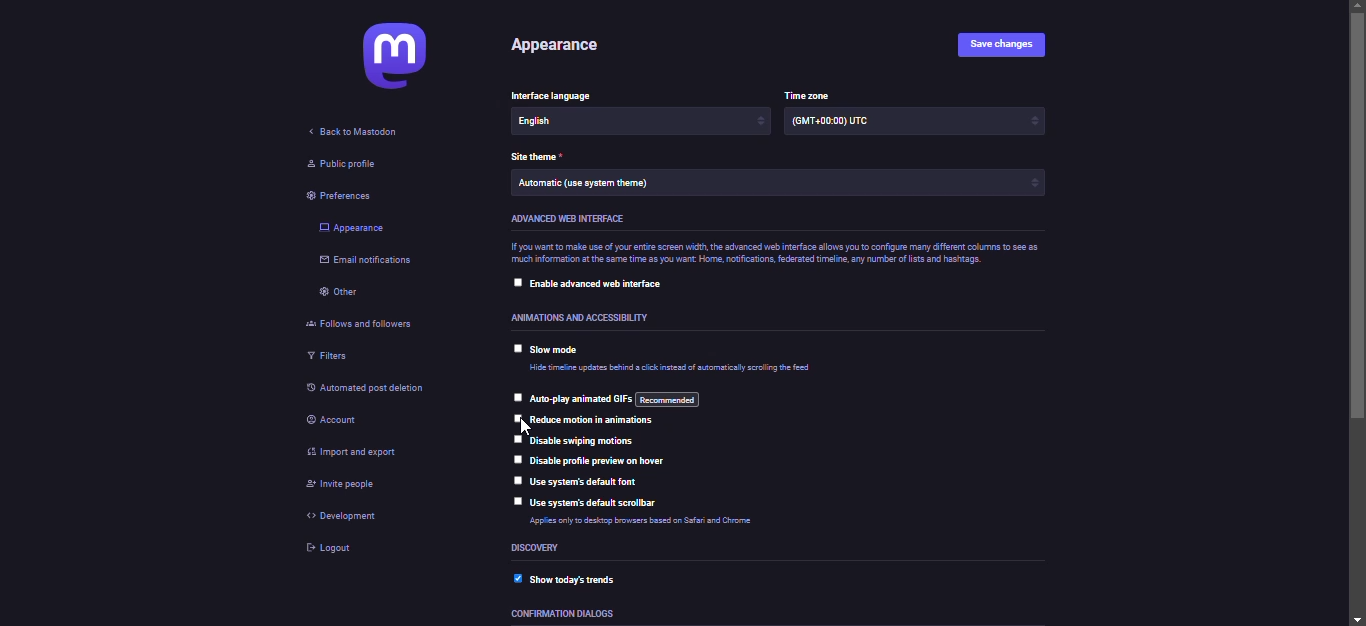 Image resolution: width=1366 pixels, height=626 pixels. Describe the element at coordinates (556, 351) in the screenshot. I see `slow mode` at that location.